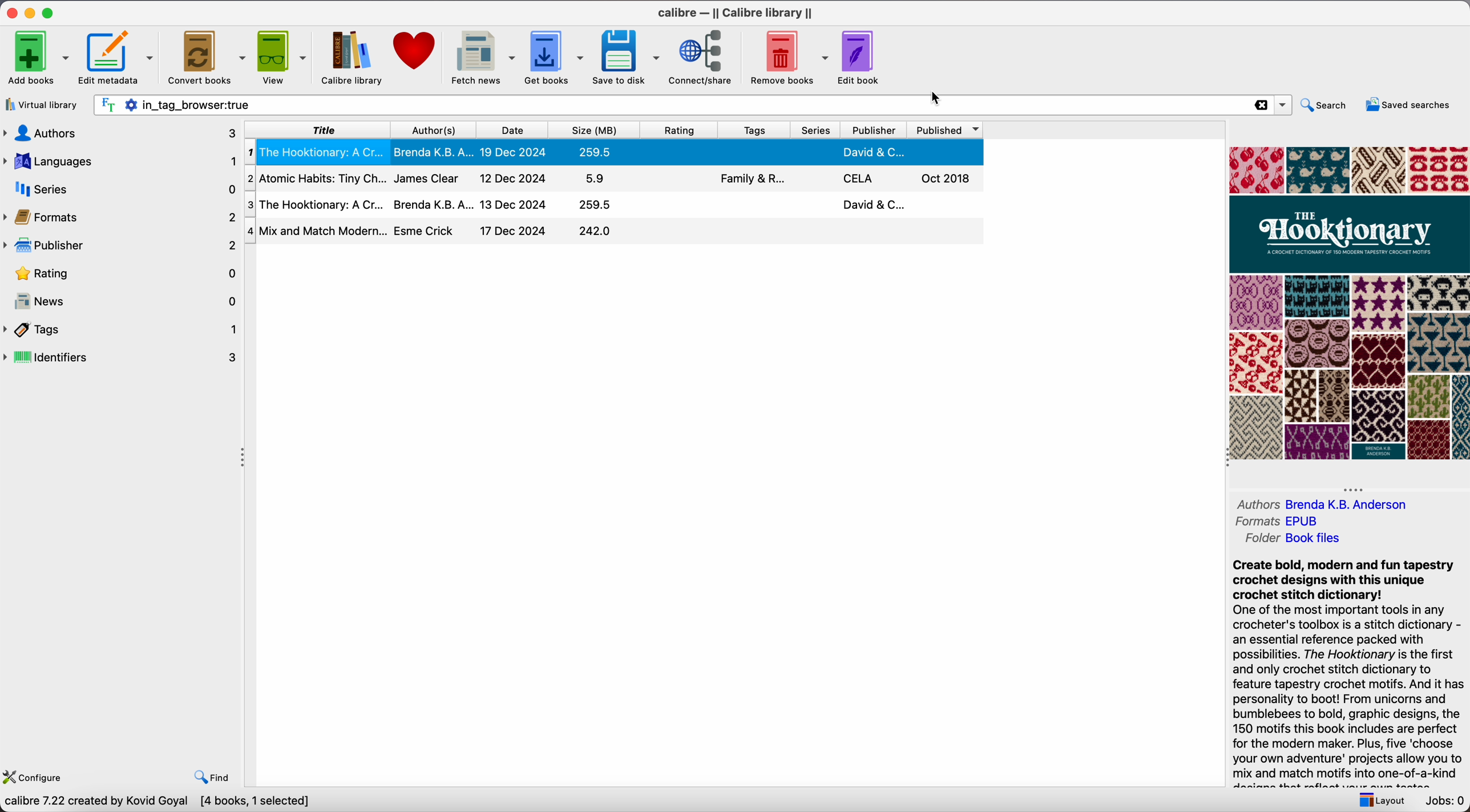 The height and width of the screenshot is (812, 1470). Describe the element at coordinates (1257, 504) in the screenshot. I see `Authors` at that location.